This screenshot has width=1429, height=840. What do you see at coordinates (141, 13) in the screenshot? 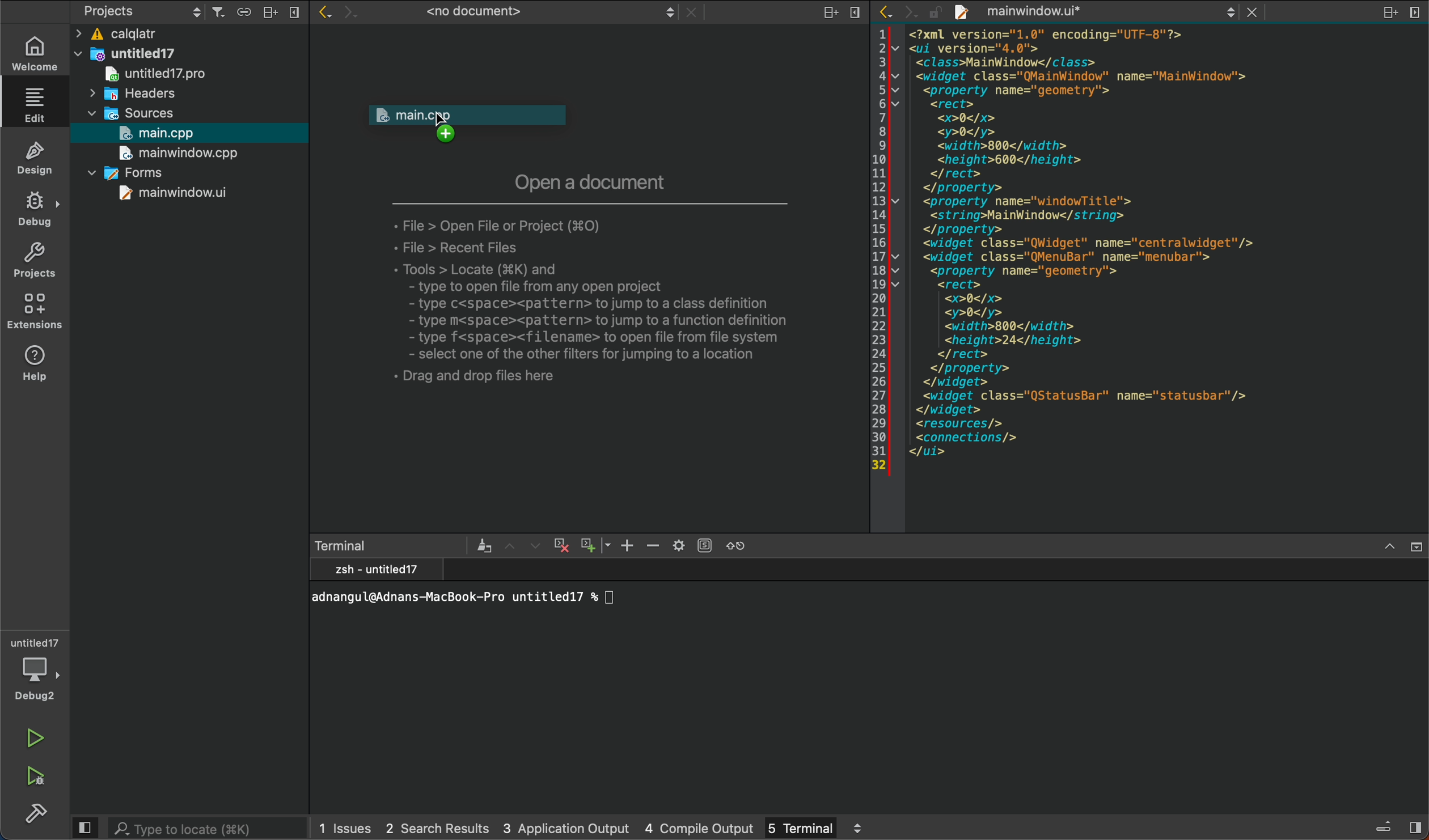
I see `projects` at bounding box center [141, 13].